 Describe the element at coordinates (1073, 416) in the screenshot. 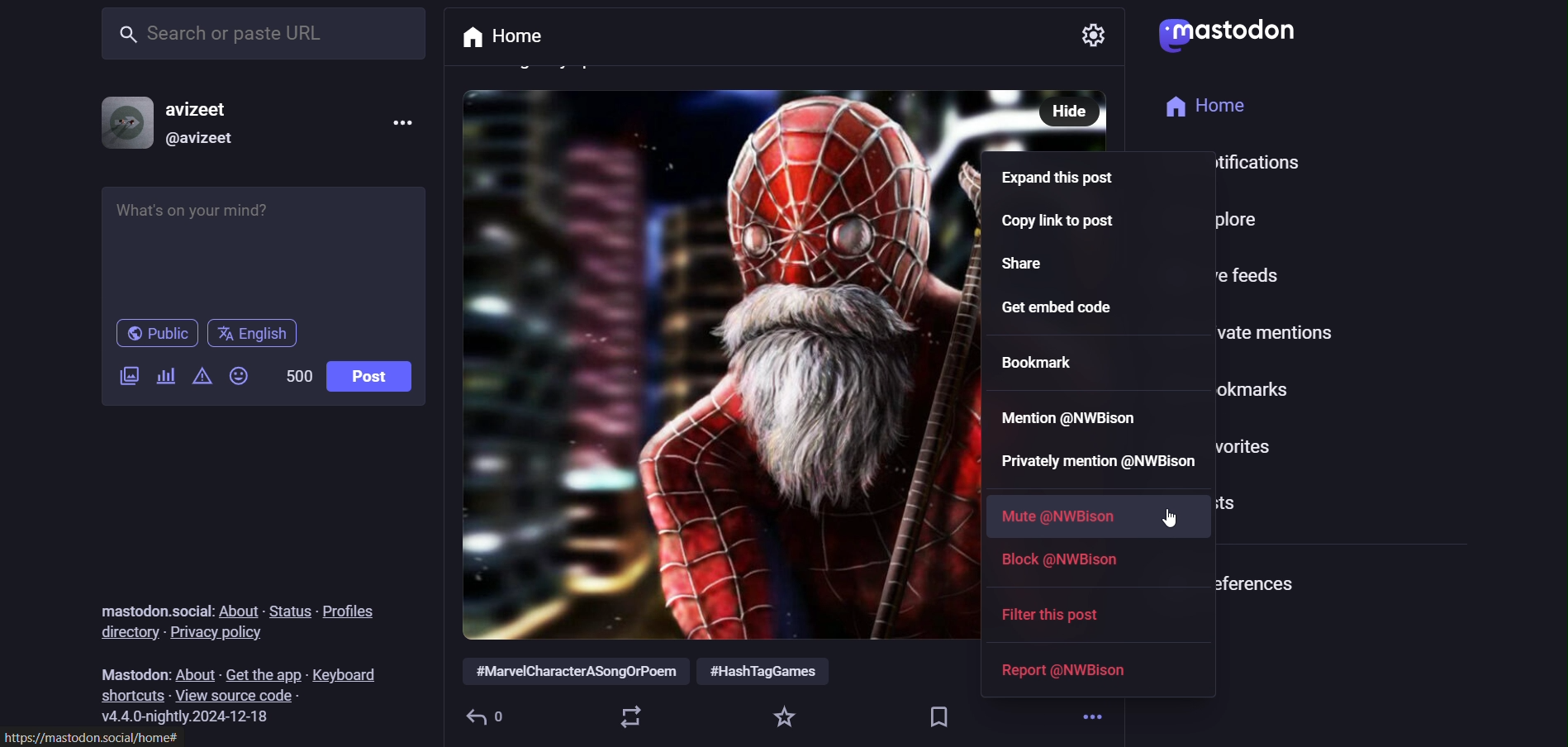

I see `mention user` at that location.